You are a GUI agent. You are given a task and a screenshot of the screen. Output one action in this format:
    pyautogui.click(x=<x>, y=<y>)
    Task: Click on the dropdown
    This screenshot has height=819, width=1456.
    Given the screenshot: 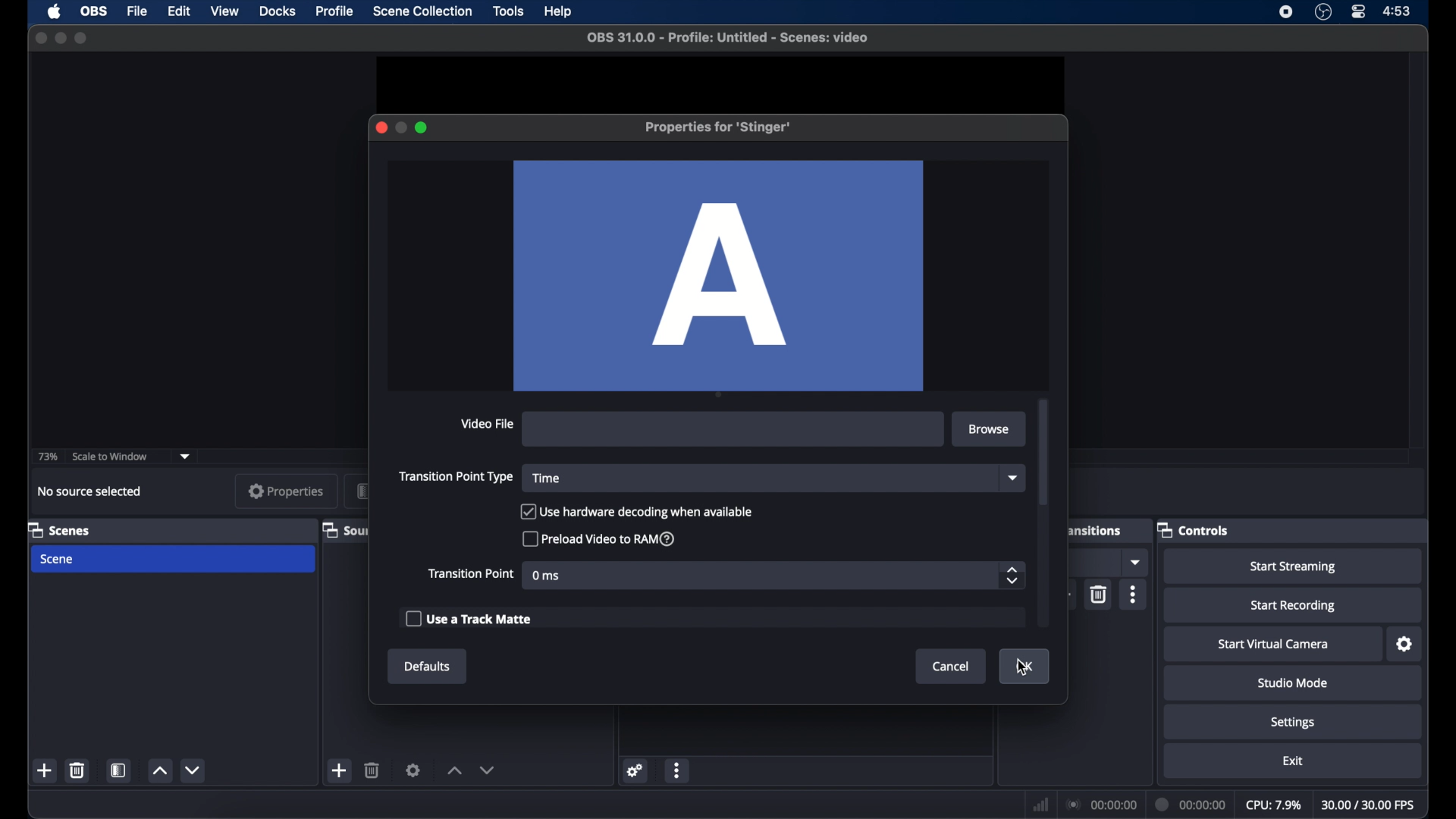 What is the action you would take?
    pyautogui.click(x=185, y=456)
    